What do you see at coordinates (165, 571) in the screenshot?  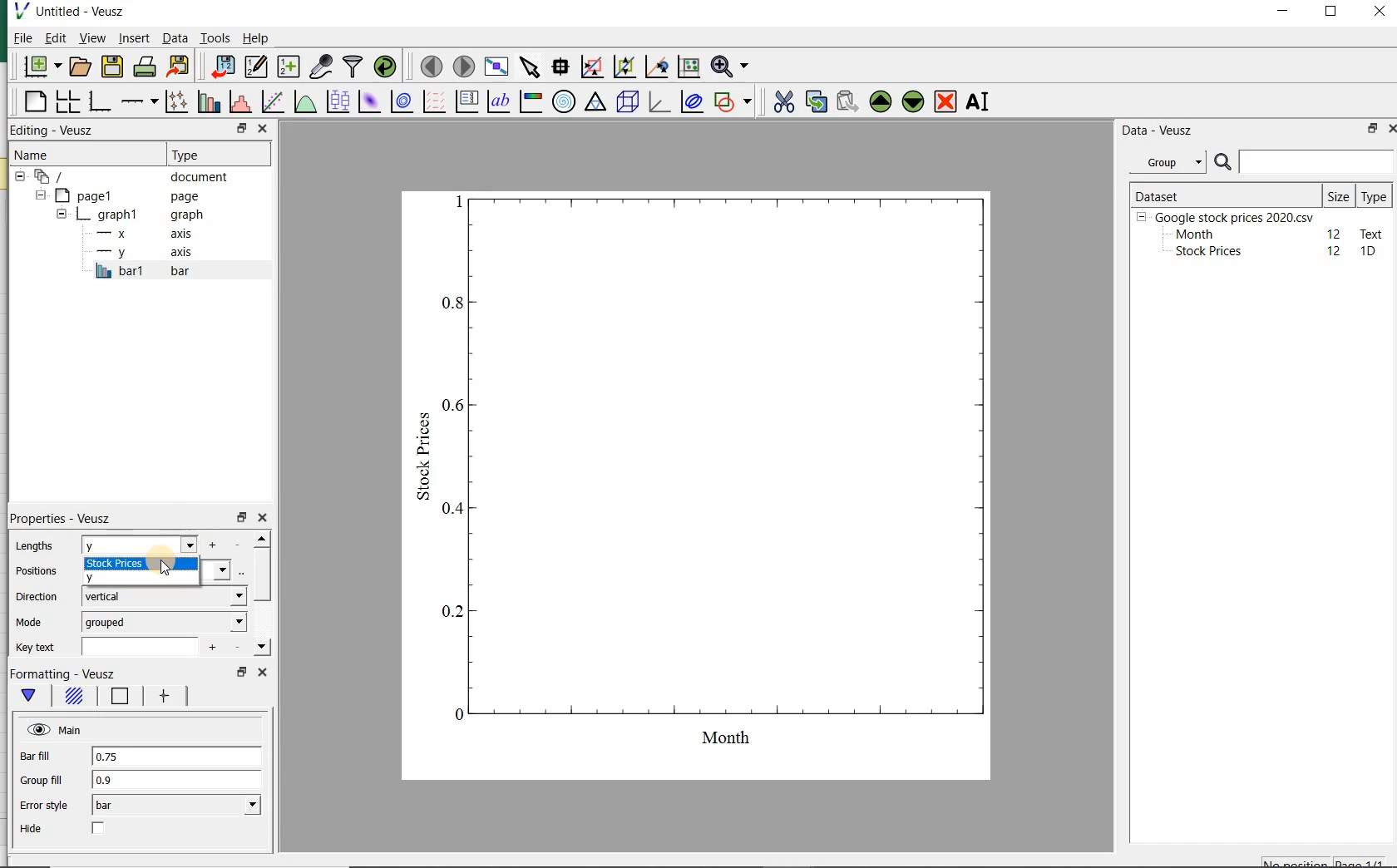 I see `CURSOR` at bounding box center [165, 571].